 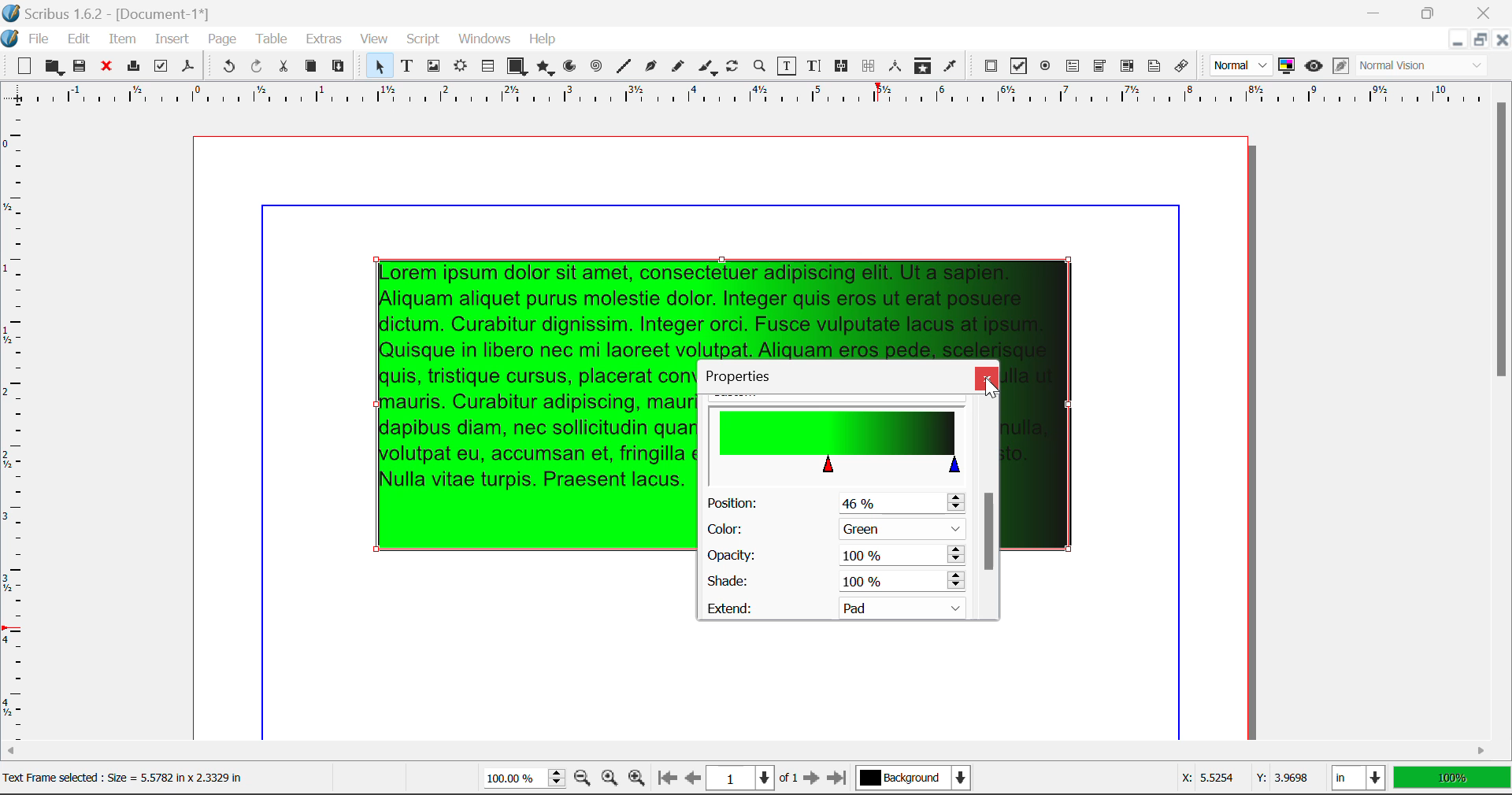 What do you see at coordinates (221, 40) in the screenshot?
I see `Page` at bounding box center [221, 40].